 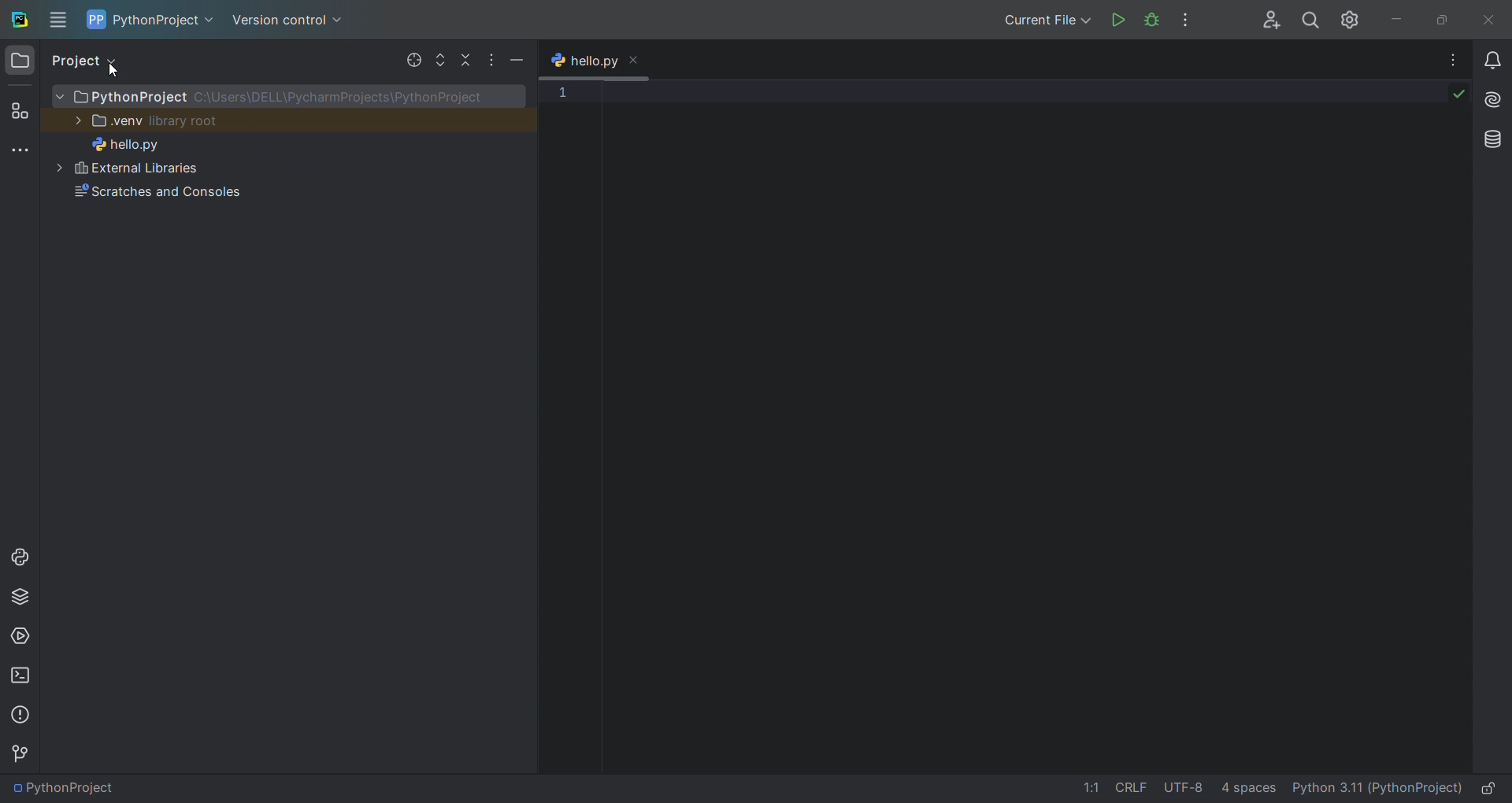 I want to click on select file, so click(x=412, y=59).